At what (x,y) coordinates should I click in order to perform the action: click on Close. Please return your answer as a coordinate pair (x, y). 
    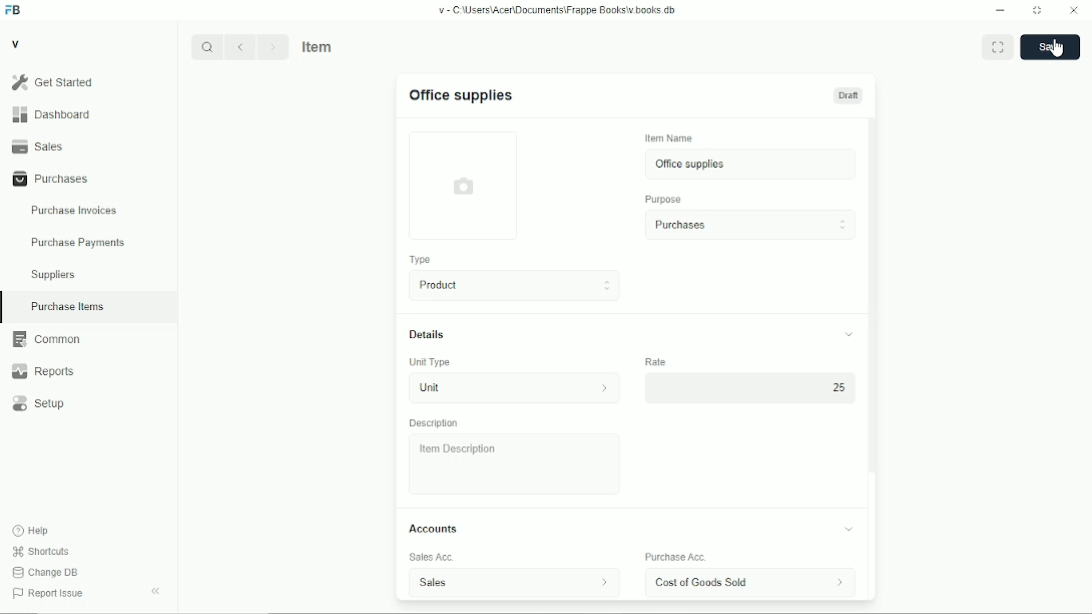
    Looking at the image, I should click on (1074, 9).